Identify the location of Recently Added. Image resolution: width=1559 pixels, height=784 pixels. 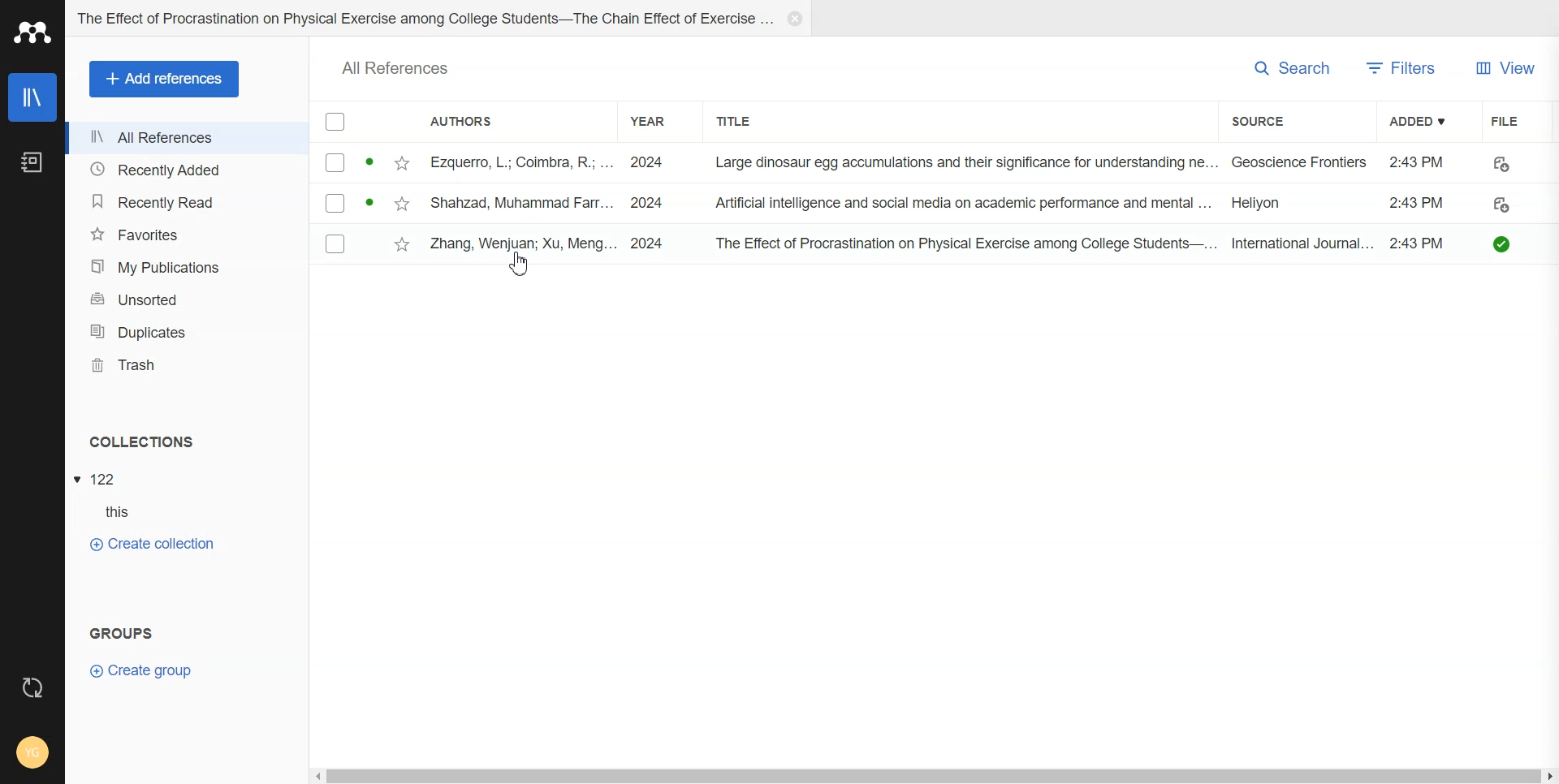
(188, 170).